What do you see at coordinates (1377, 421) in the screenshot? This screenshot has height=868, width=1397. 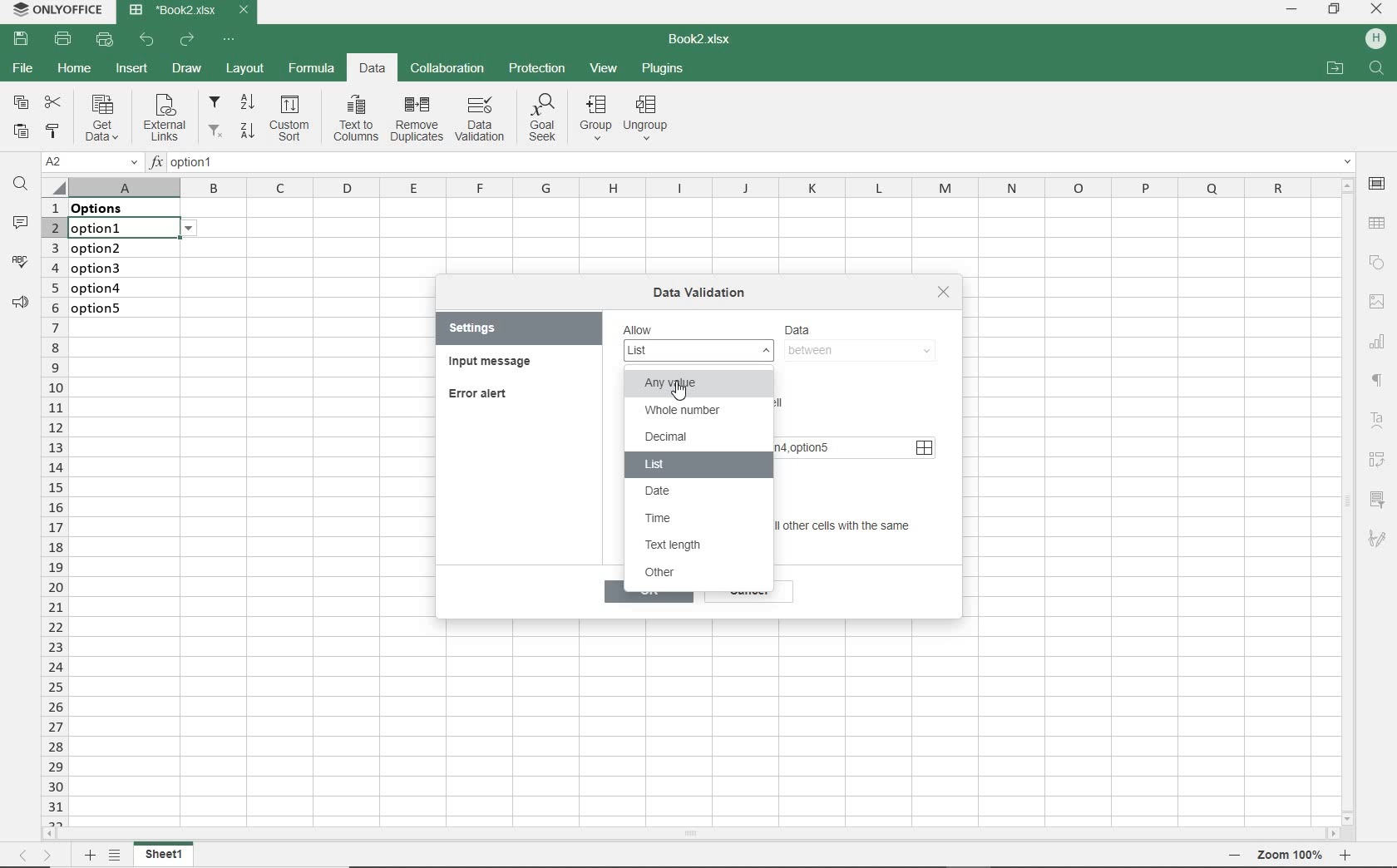 I see `Text` at bounding box center [1377, 421].